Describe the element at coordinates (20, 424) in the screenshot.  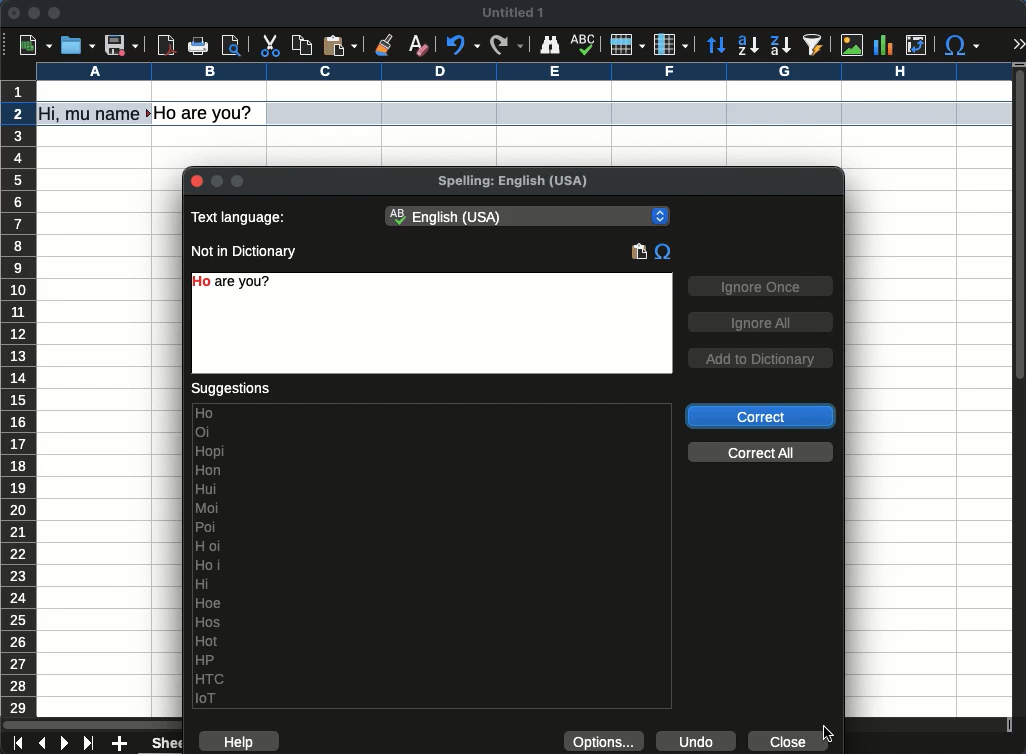
I see `row` at that location.